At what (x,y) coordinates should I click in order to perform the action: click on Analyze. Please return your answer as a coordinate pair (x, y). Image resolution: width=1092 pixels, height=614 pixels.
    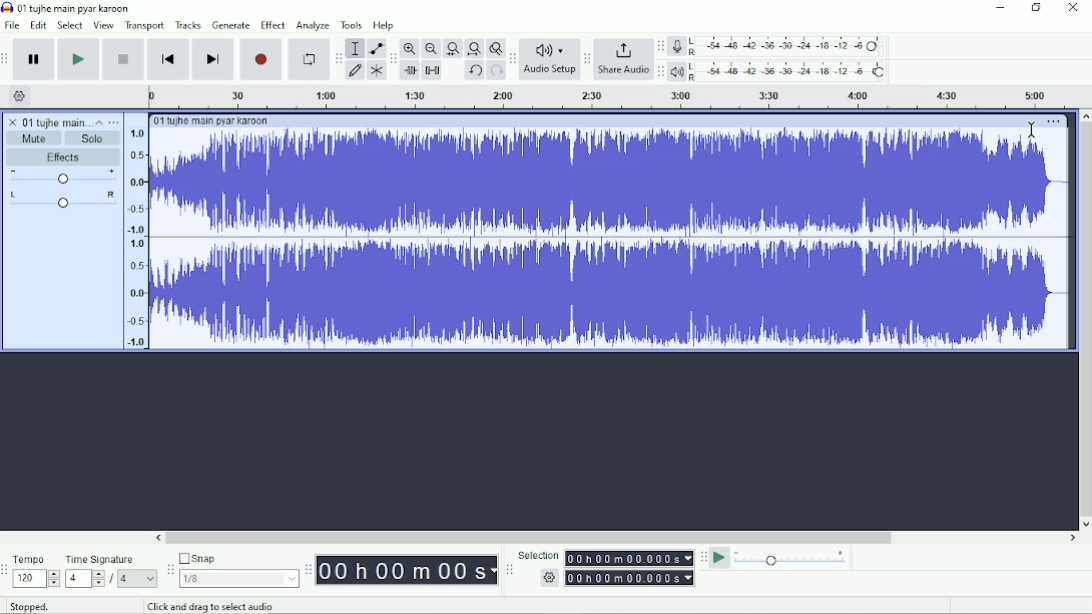
    Looking at the image, I should click on (314, 25).